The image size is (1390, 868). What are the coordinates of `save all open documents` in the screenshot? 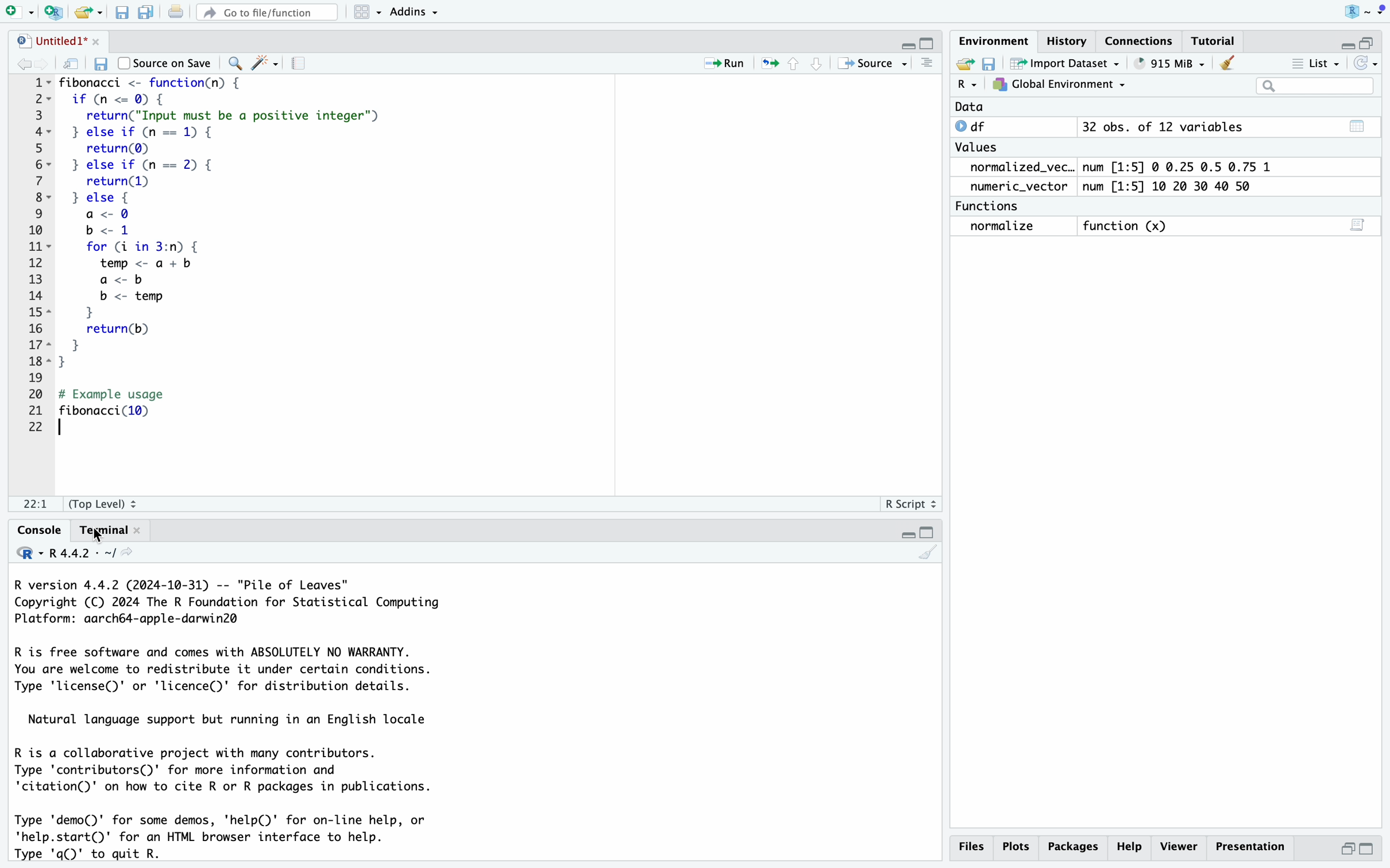 It's located at (147, 11).